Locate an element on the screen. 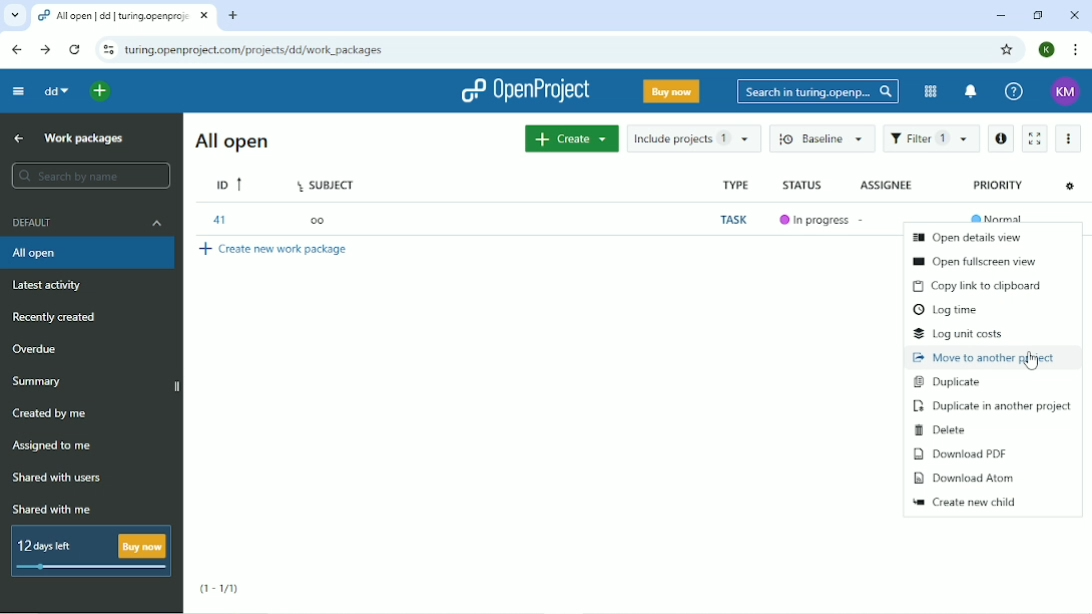 This screenshot has height=614, width=1092. Log unit costs is located at coordinates (957, 333).